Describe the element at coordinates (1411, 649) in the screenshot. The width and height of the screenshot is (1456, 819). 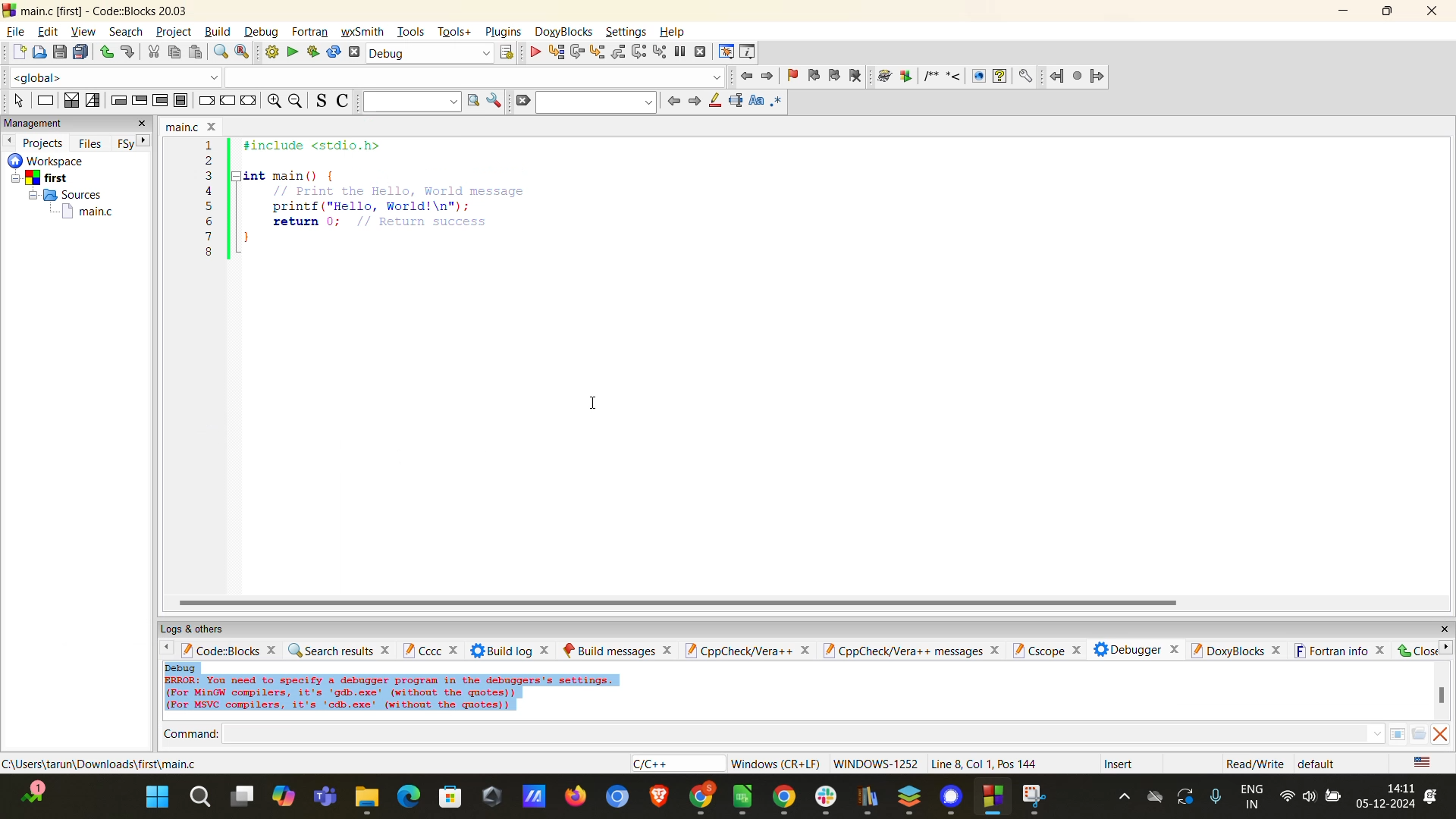
I see `close` at that location.